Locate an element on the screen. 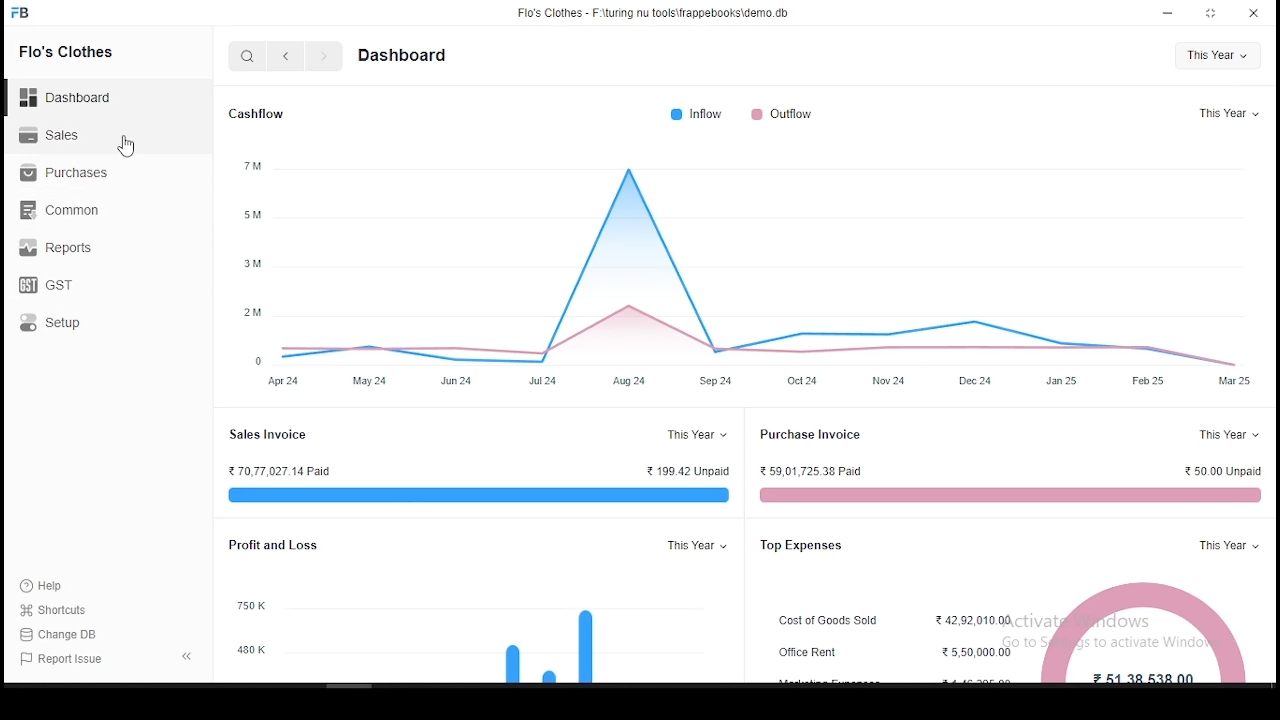 This screenshot has height=720, width=1280. Oct 24 is located at coordinates (810, 380).